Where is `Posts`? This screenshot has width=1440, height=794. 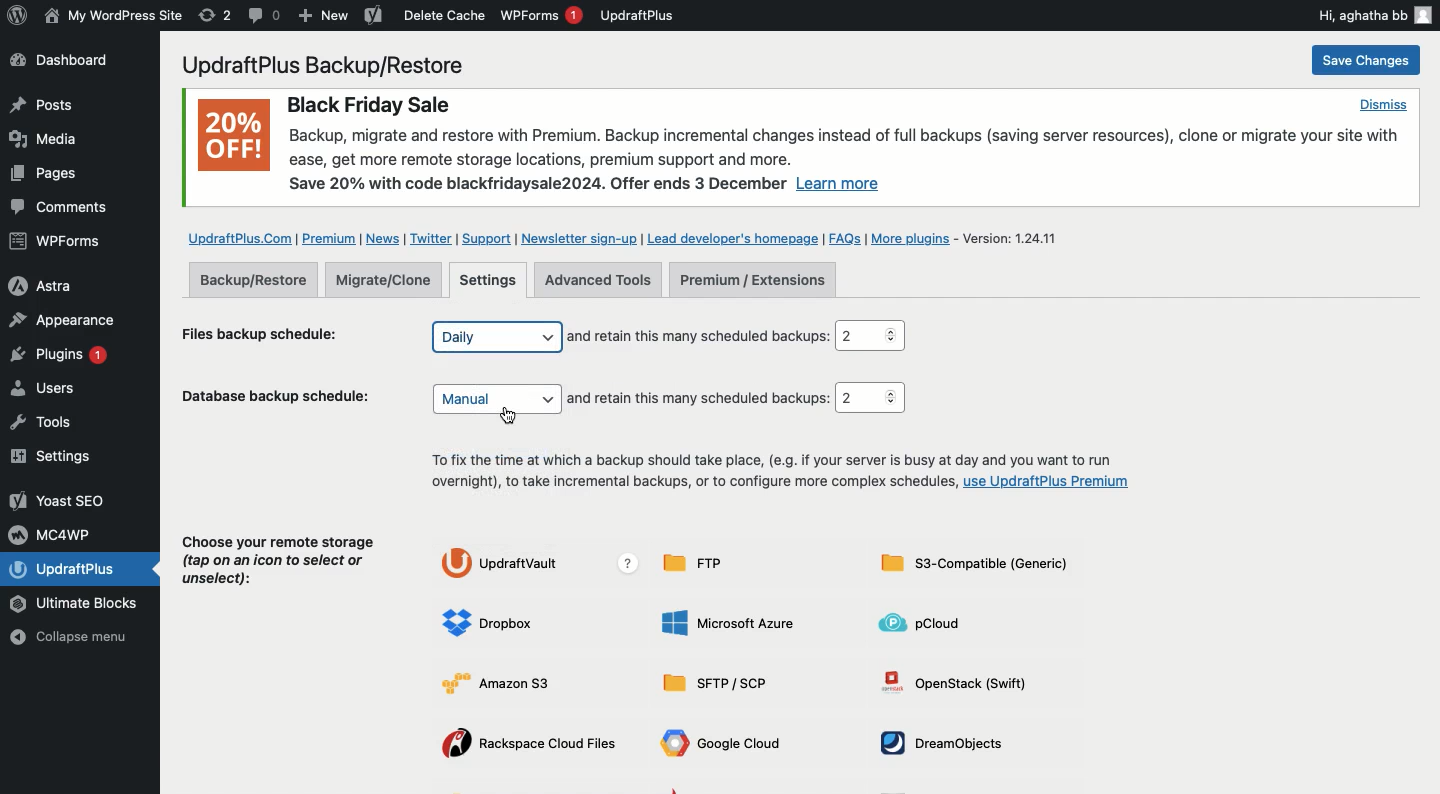 Posts is located at coordinates (40, 105).